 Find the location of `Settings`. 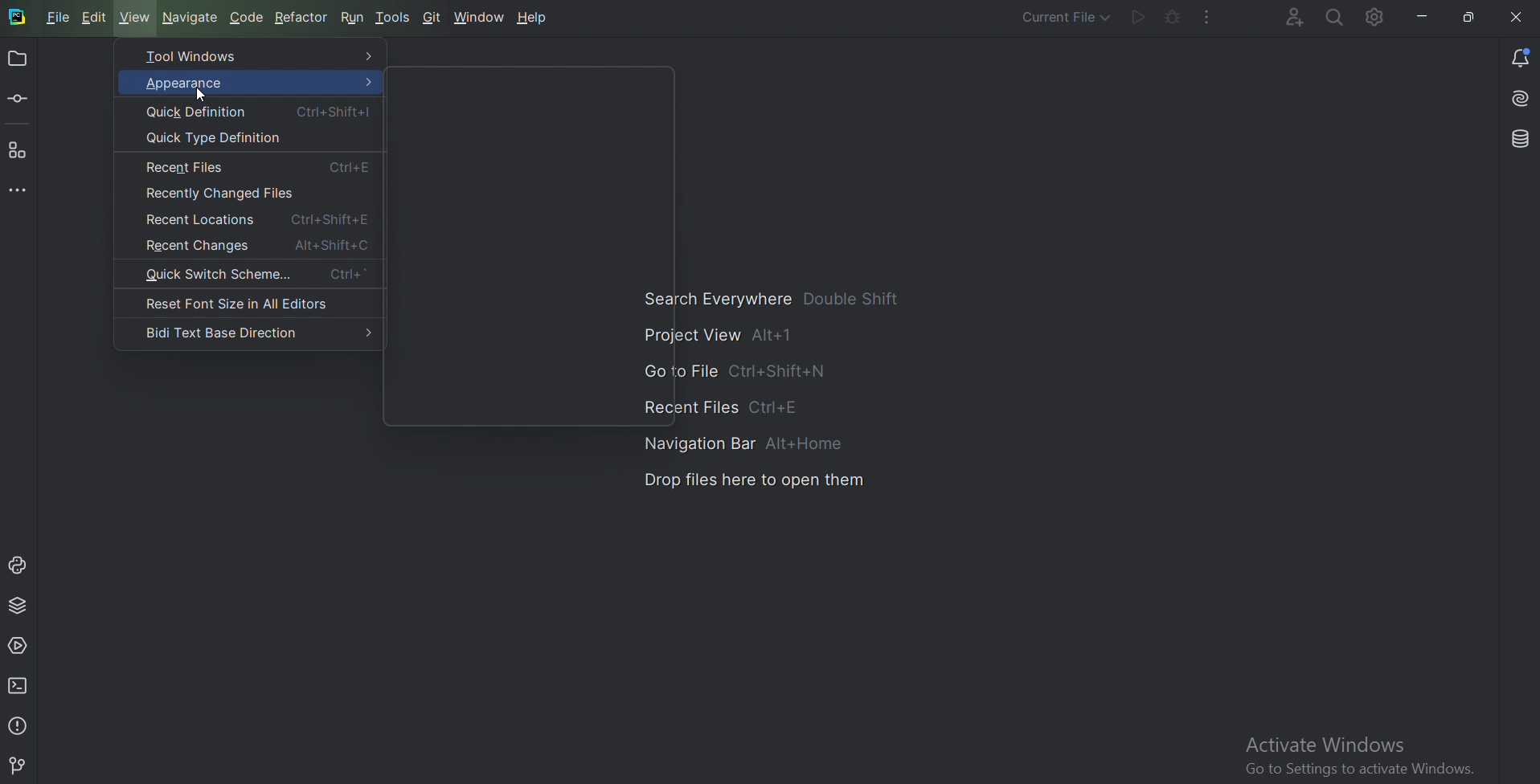

Settings is located at coordinates (1378, 19).